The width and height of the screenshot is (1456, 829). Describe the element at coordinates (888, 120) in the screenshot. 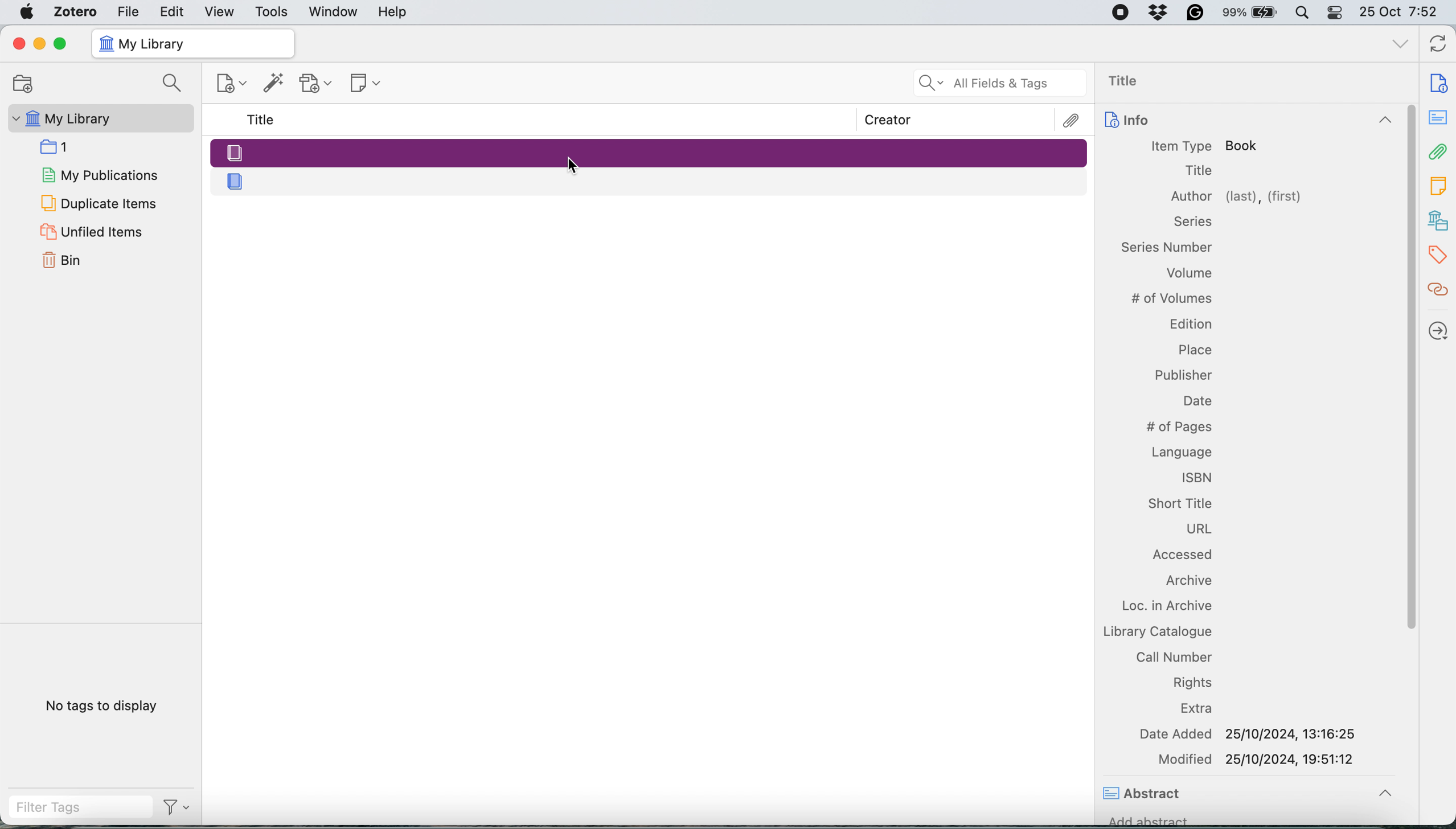

I see `Creator` at that location.